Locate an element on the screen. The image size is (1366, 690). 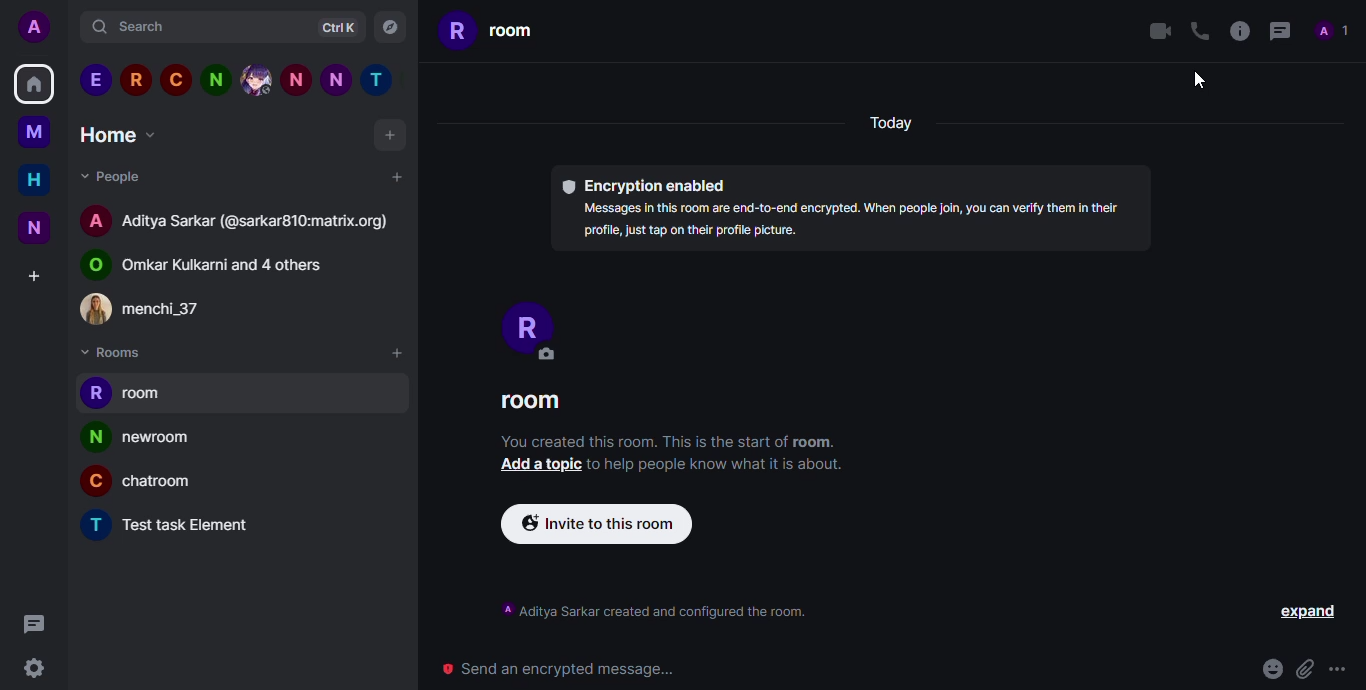
info- Messages in this room are end to end encrypted. is located at coordinates (859, 222).